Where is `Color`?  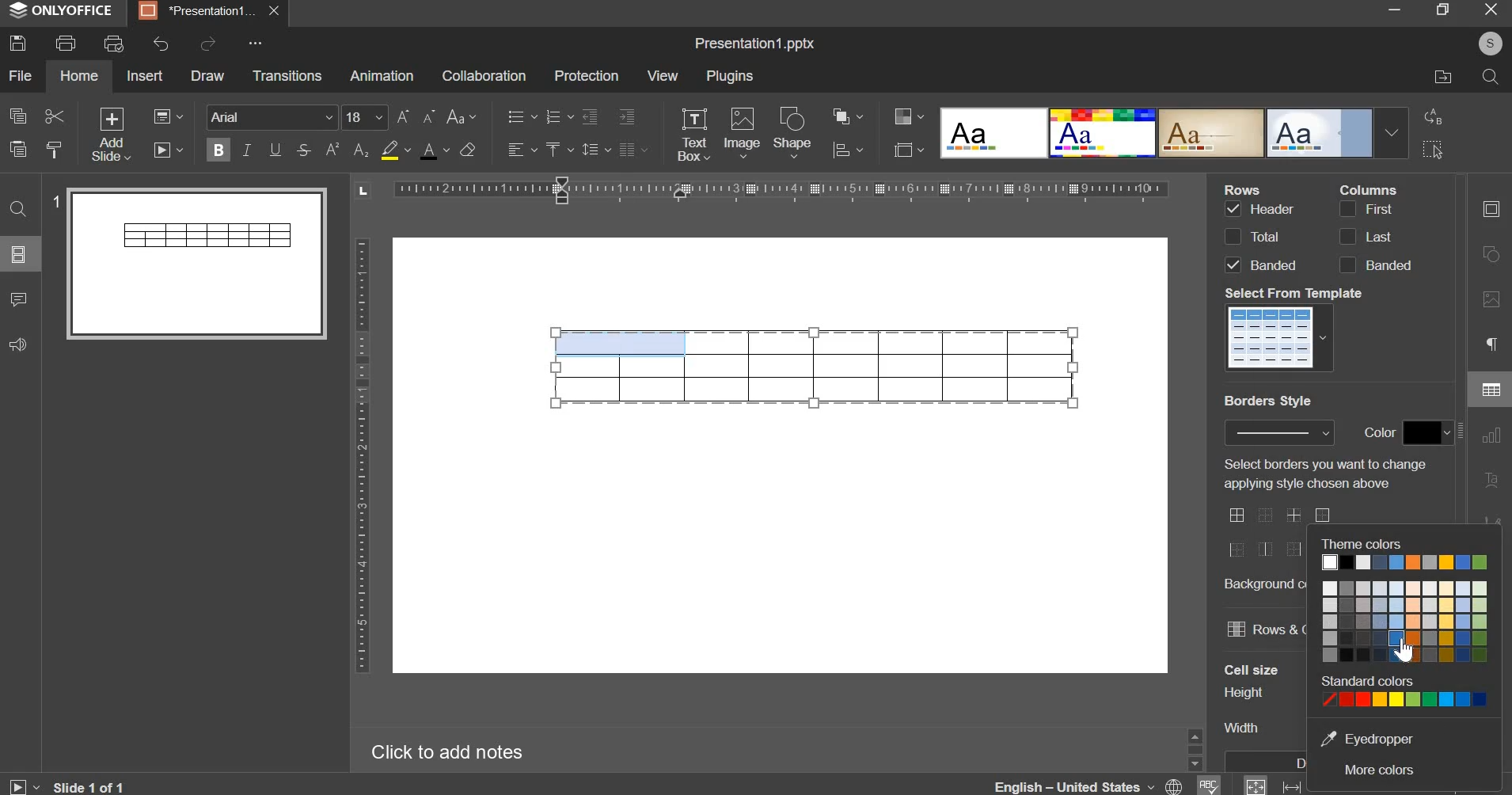
Color is located at coordinates (1381, 432).